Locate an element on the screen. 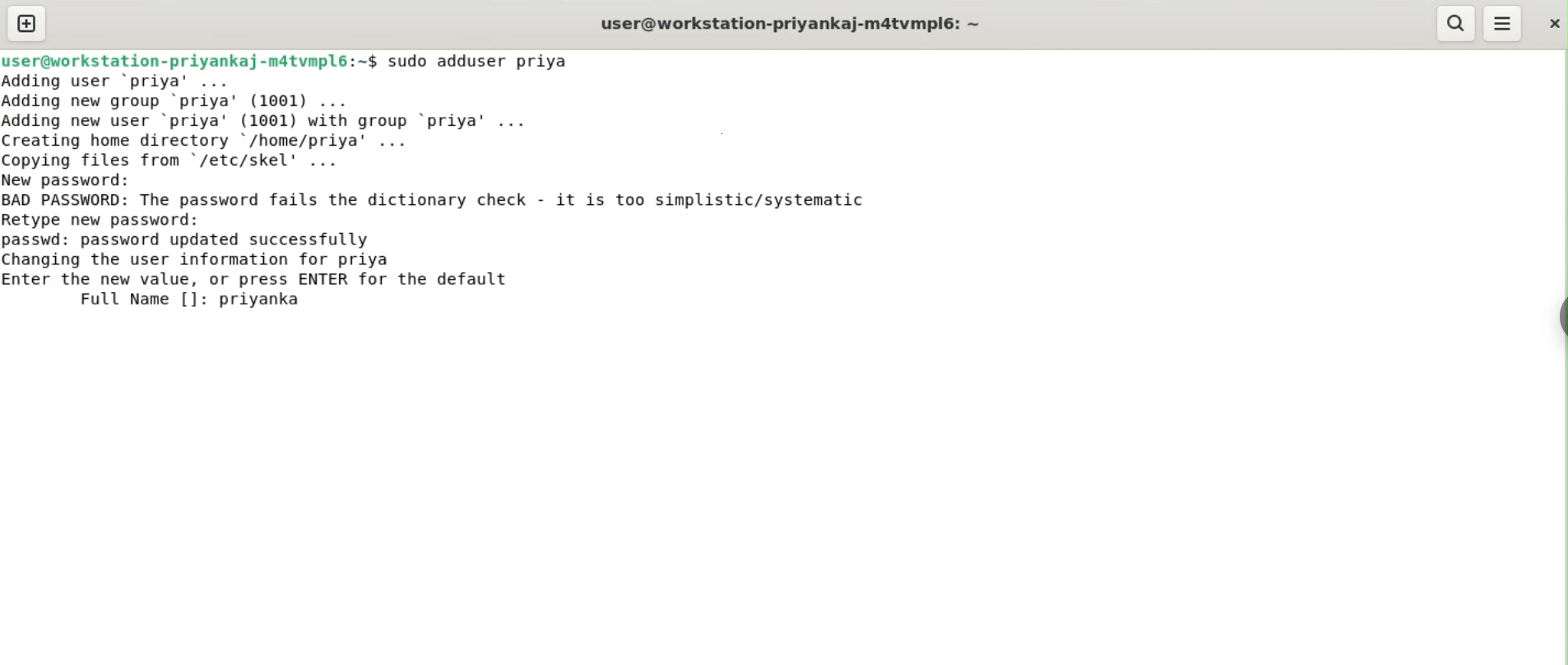 The height and width of the screenshot is (665, 1568). full name [] : is located at coordinates (109, 299).